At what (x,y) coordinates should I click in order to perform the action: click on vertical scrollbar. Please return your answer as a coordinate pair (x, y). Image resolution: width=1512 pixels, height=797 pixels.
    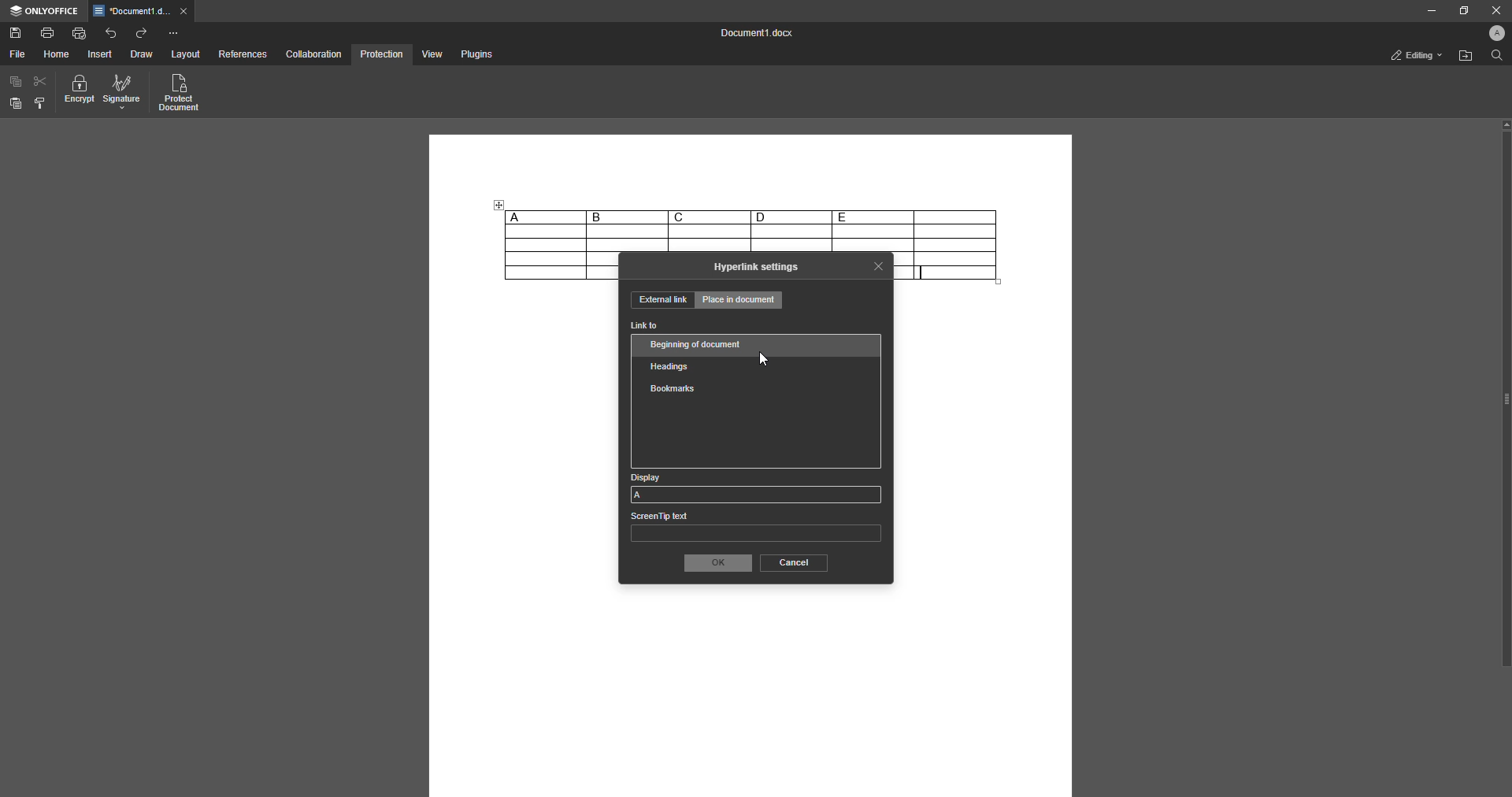
    Looking at the image, I should click on (1505, 393).